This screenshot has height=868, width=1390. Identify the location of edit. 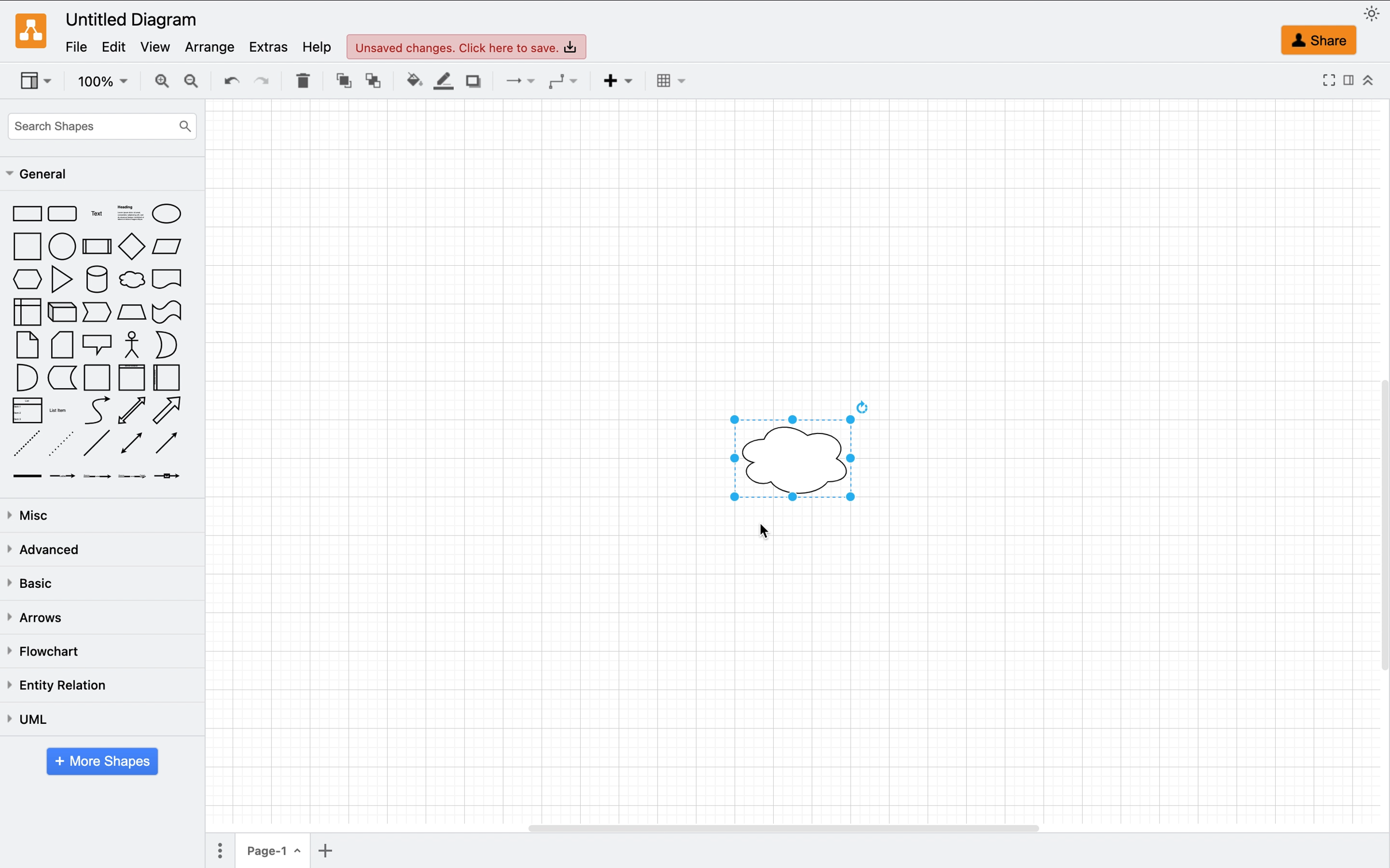
(118, 46).